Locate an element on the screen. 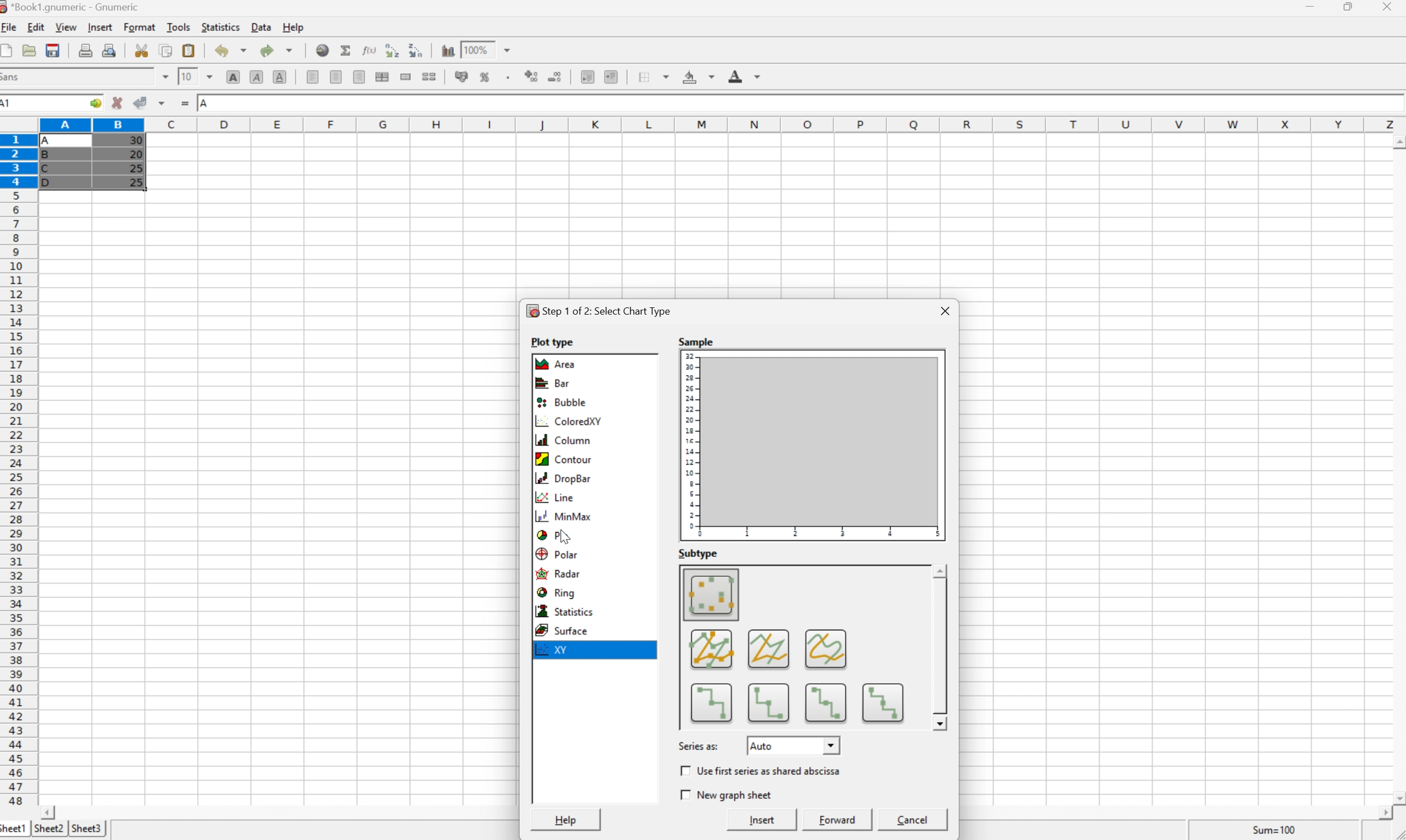 This screenshot has height=840, width=1406. Redo is located at coordinates (275, 49).